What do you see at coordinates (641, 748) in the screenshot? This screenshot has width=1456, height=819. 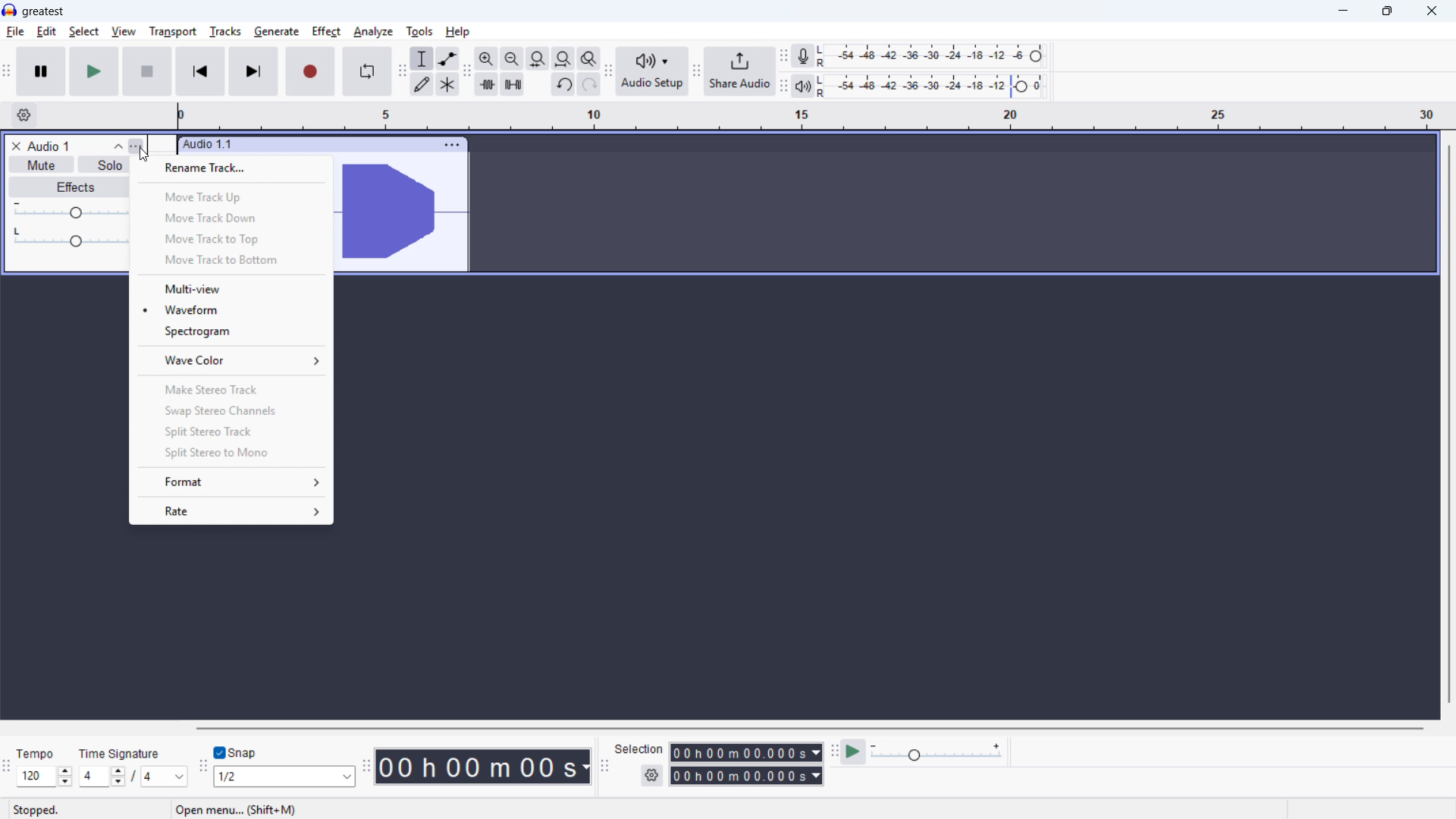 I see `selection` at bounding box center [641, 748].